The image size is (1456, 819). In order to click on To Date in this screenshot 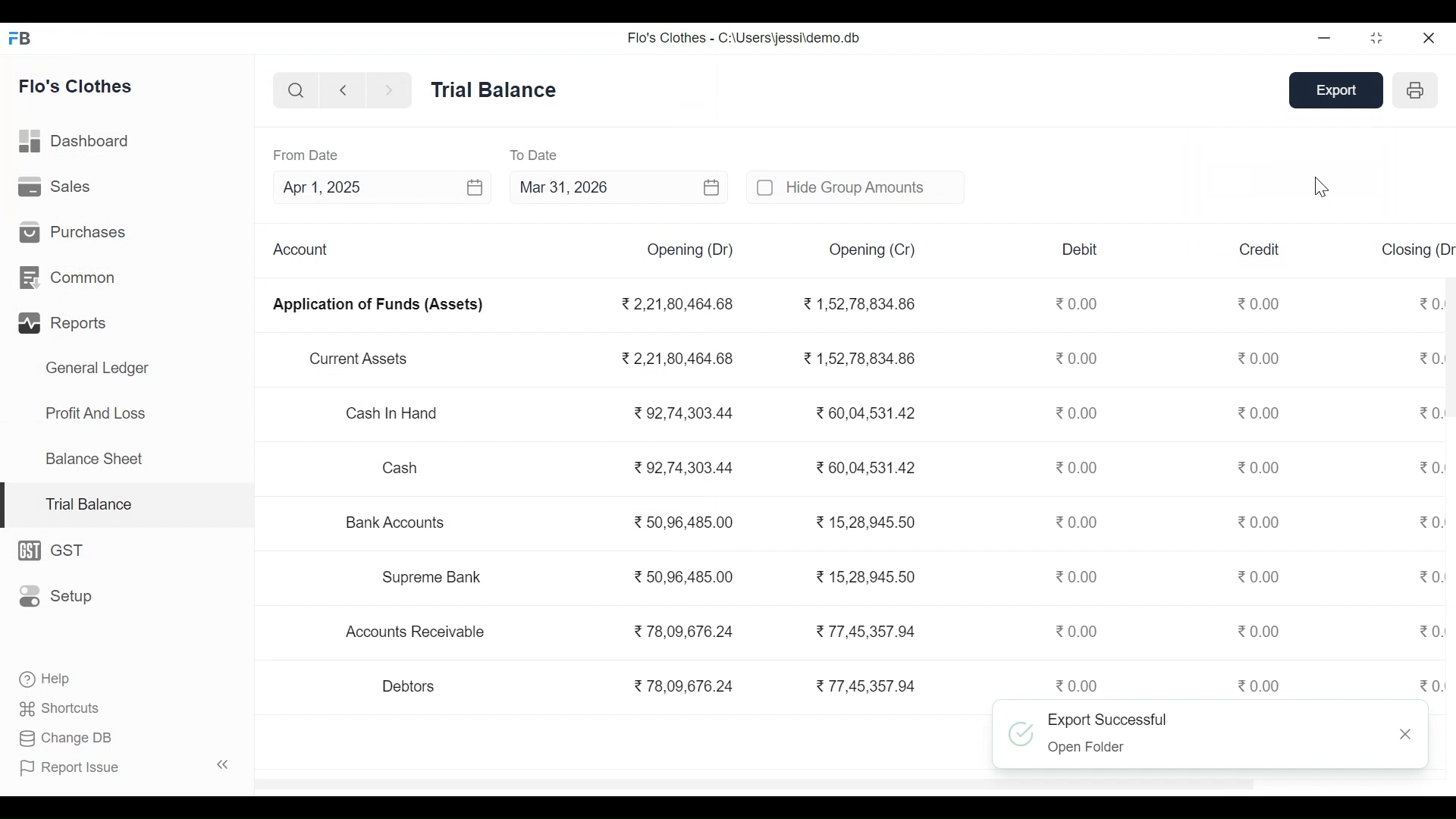, I will do `click(537, 154)`.